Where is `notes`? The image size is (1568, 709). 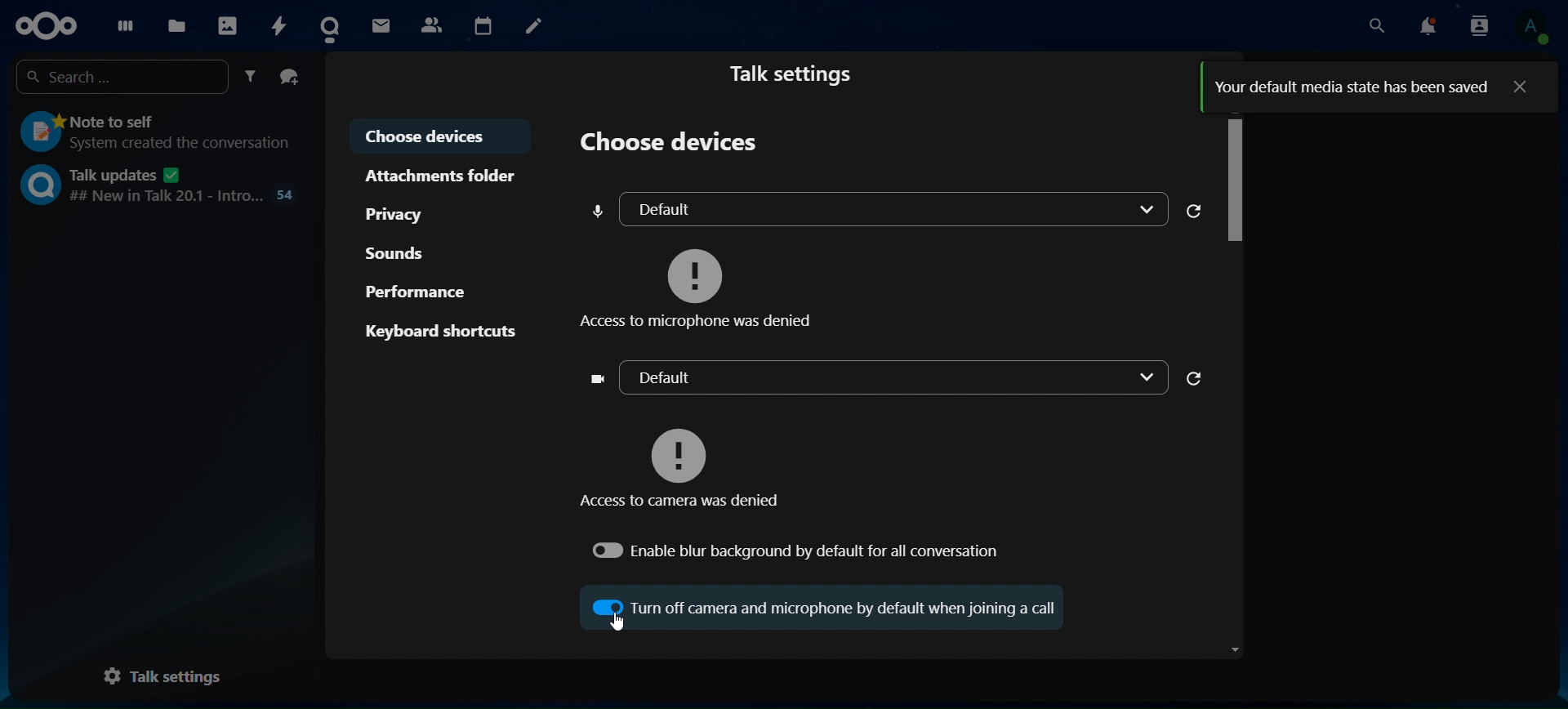 notes is located at coordinates (534, 24).